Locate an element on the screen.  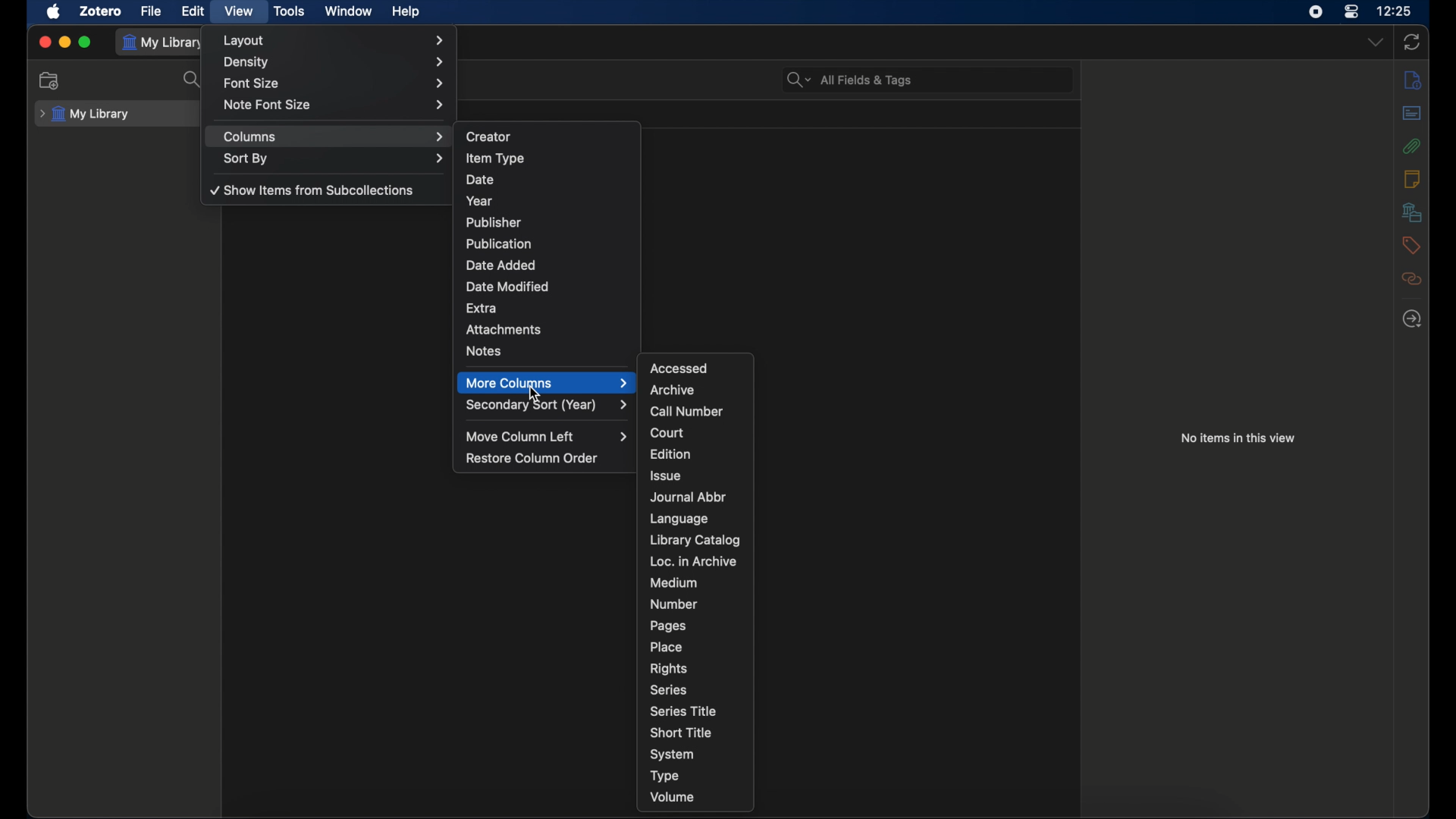
secondary sort is located at coordinates (548, 406).